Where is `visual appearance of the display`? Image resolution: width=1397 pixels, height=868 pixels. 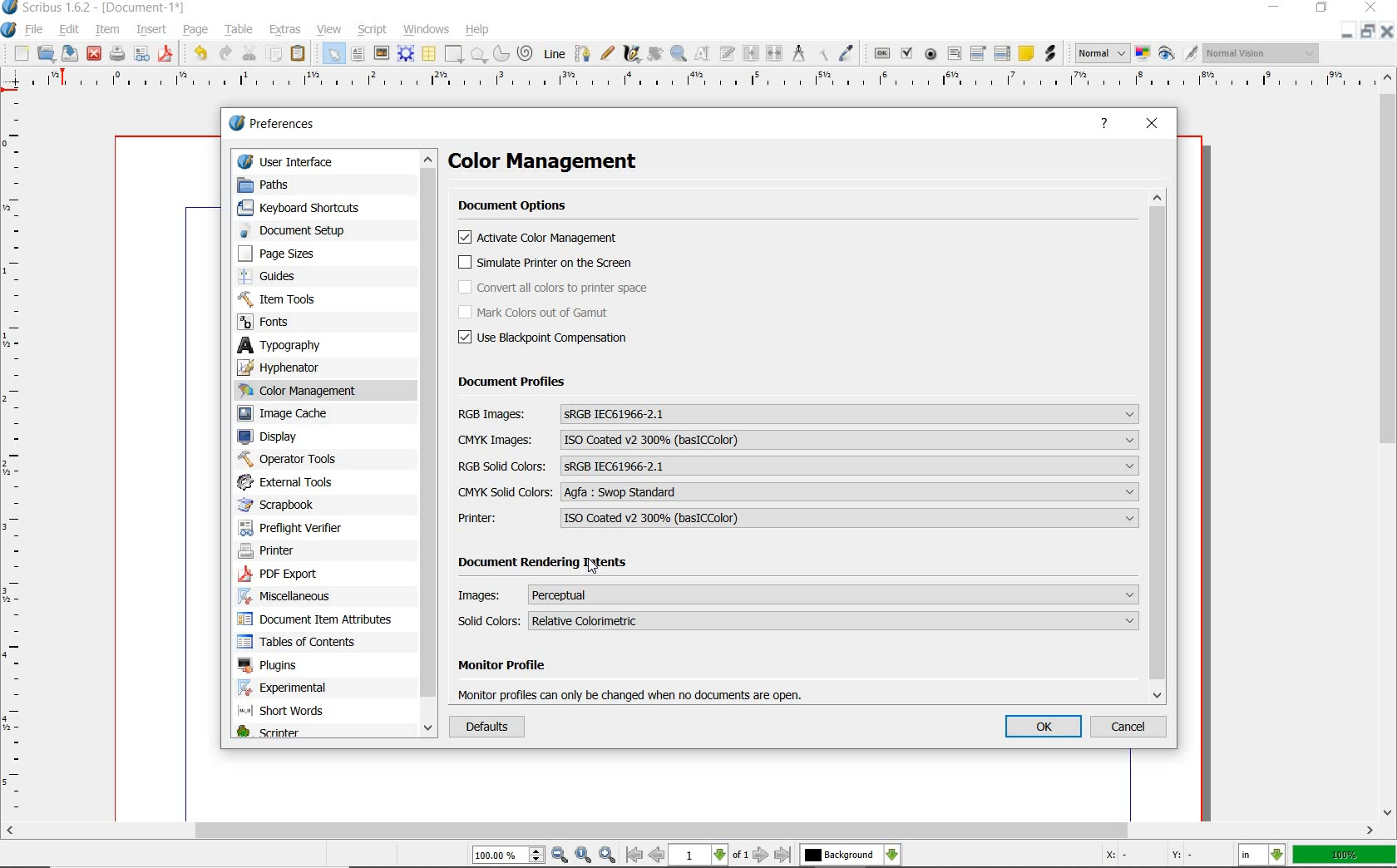
visual appearance of the display is located at coordinates (1261, 55).